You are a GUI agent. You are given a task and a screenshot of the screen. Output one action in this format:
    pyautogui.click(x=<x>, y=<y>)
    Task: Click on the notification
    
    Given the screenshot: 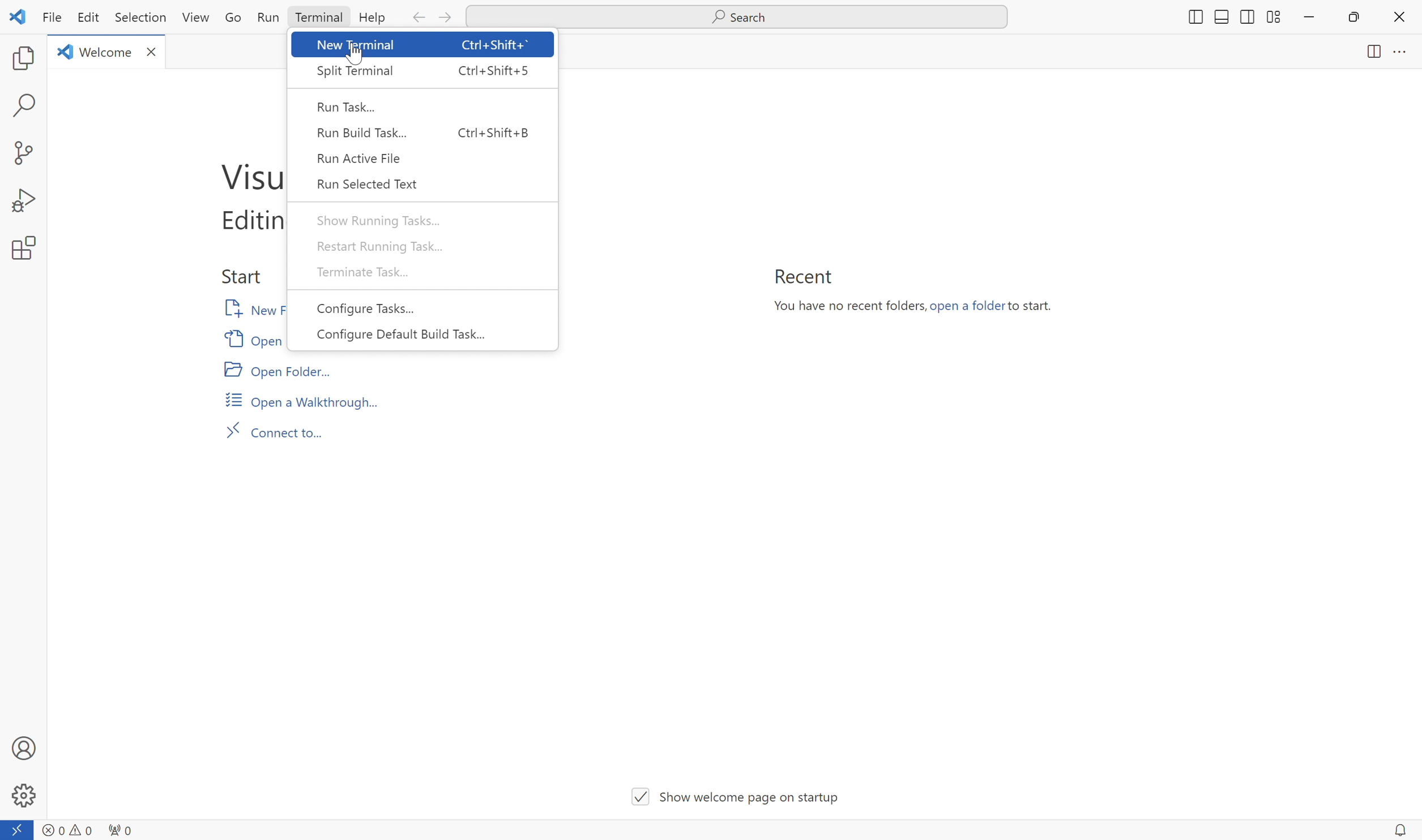 What is the action you would take?
    pyautogui.click(x=1399, y=829)
    